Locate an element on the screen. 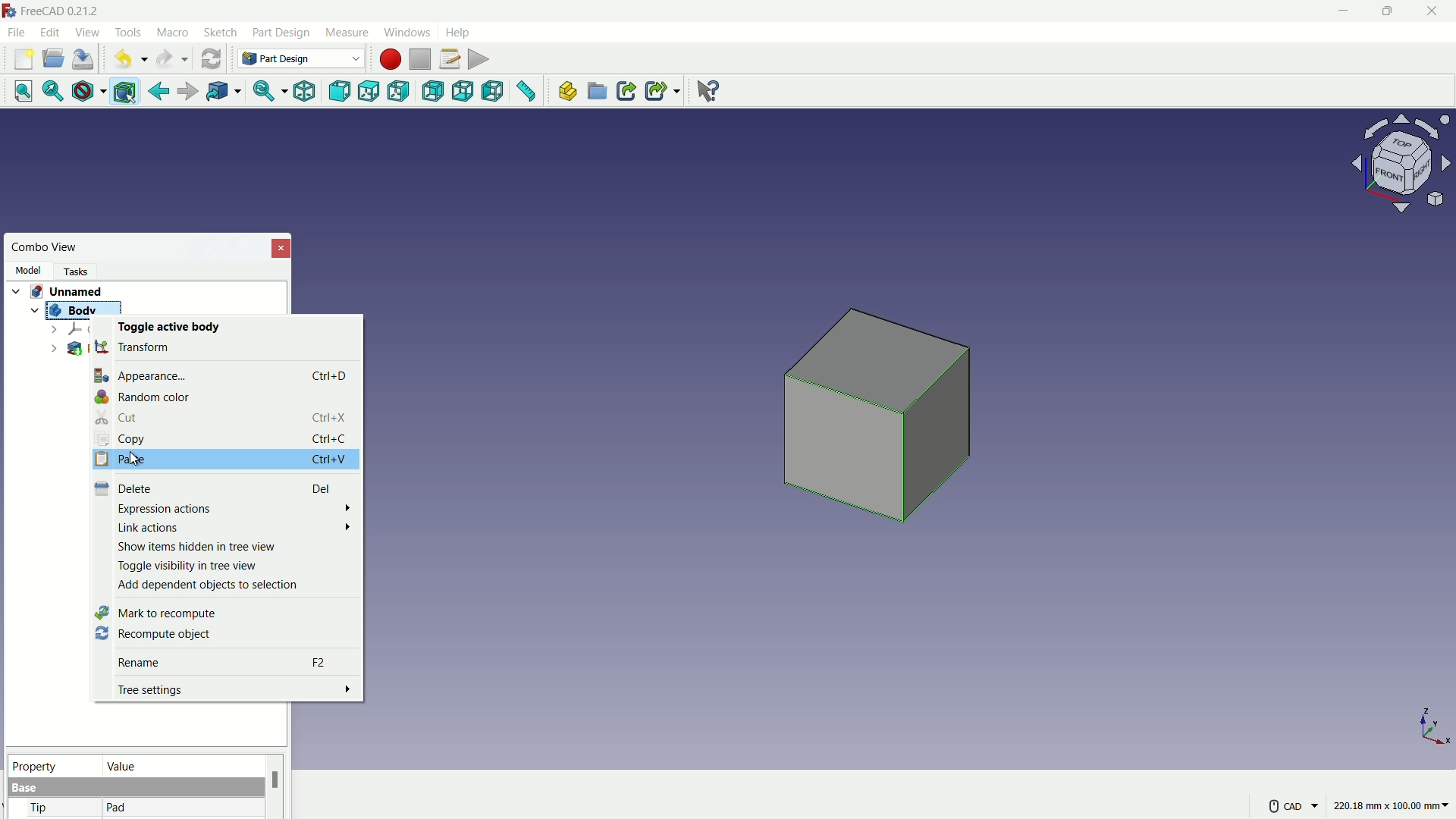 The width and height of the screenshot is (1456, 819). draw style is located at coordinates (86, 92).